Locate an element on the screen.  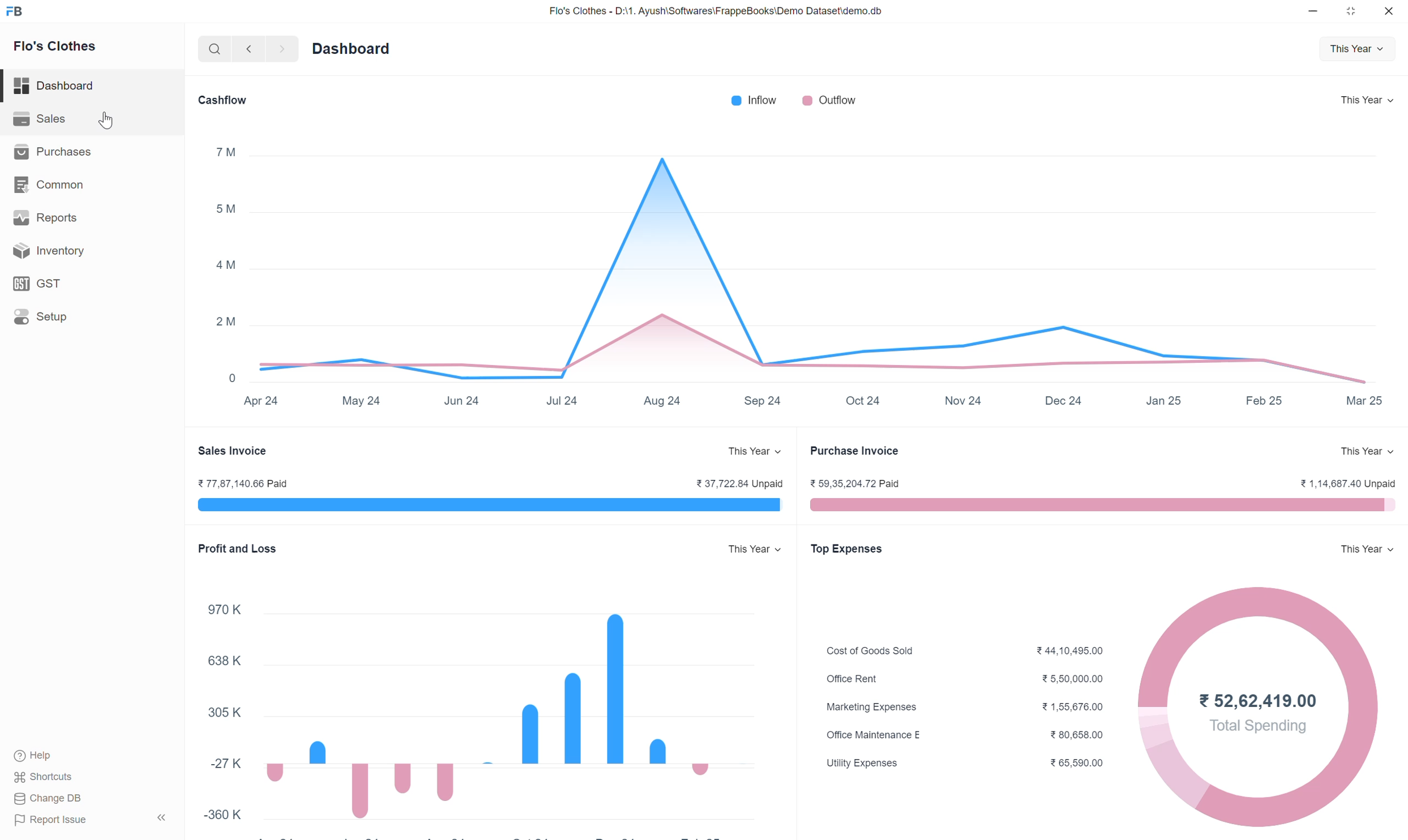
Frappe Book logo is located at coordinates (18, 12).